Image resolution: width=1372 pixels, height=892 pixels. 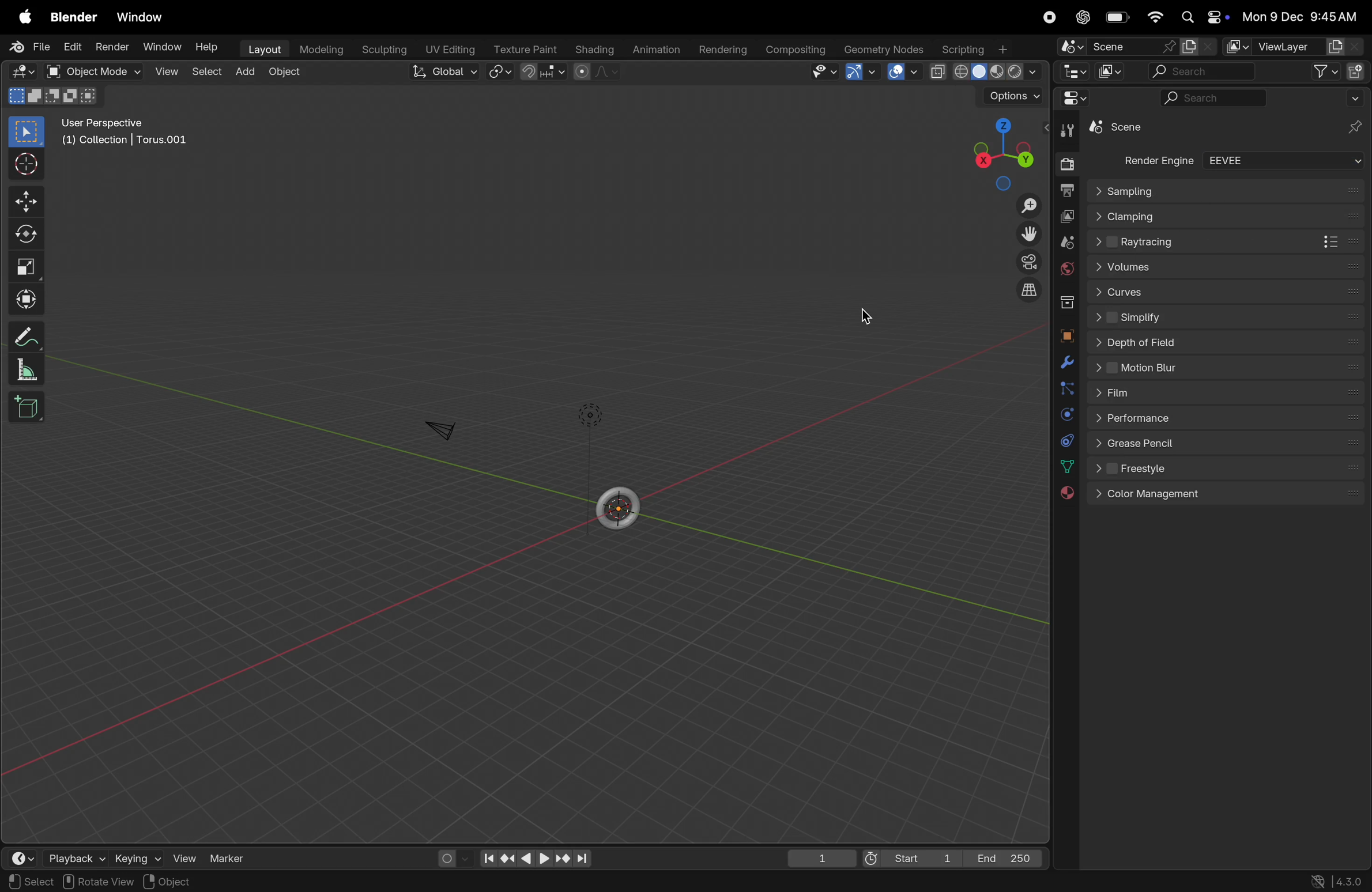 What do you see at coordinates (1063, 390) in the screenshot?
I see `particles ` at bounding box center [1063, 390].